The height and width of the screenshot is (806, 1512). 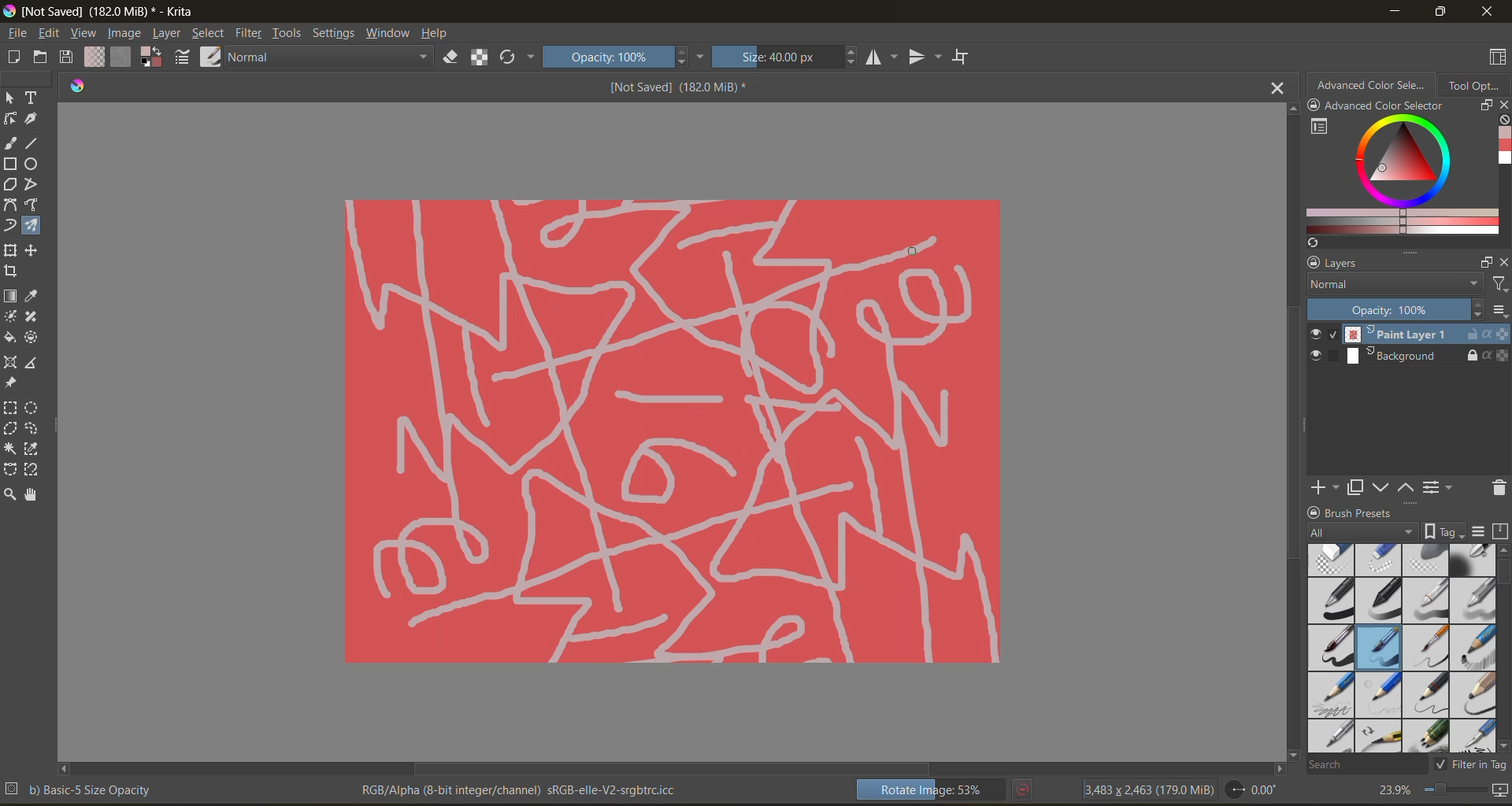 What do you see at coordinates (1366, 512) in the screenshot?
I see `Brush Presets` at bounding box center [1366, 512].